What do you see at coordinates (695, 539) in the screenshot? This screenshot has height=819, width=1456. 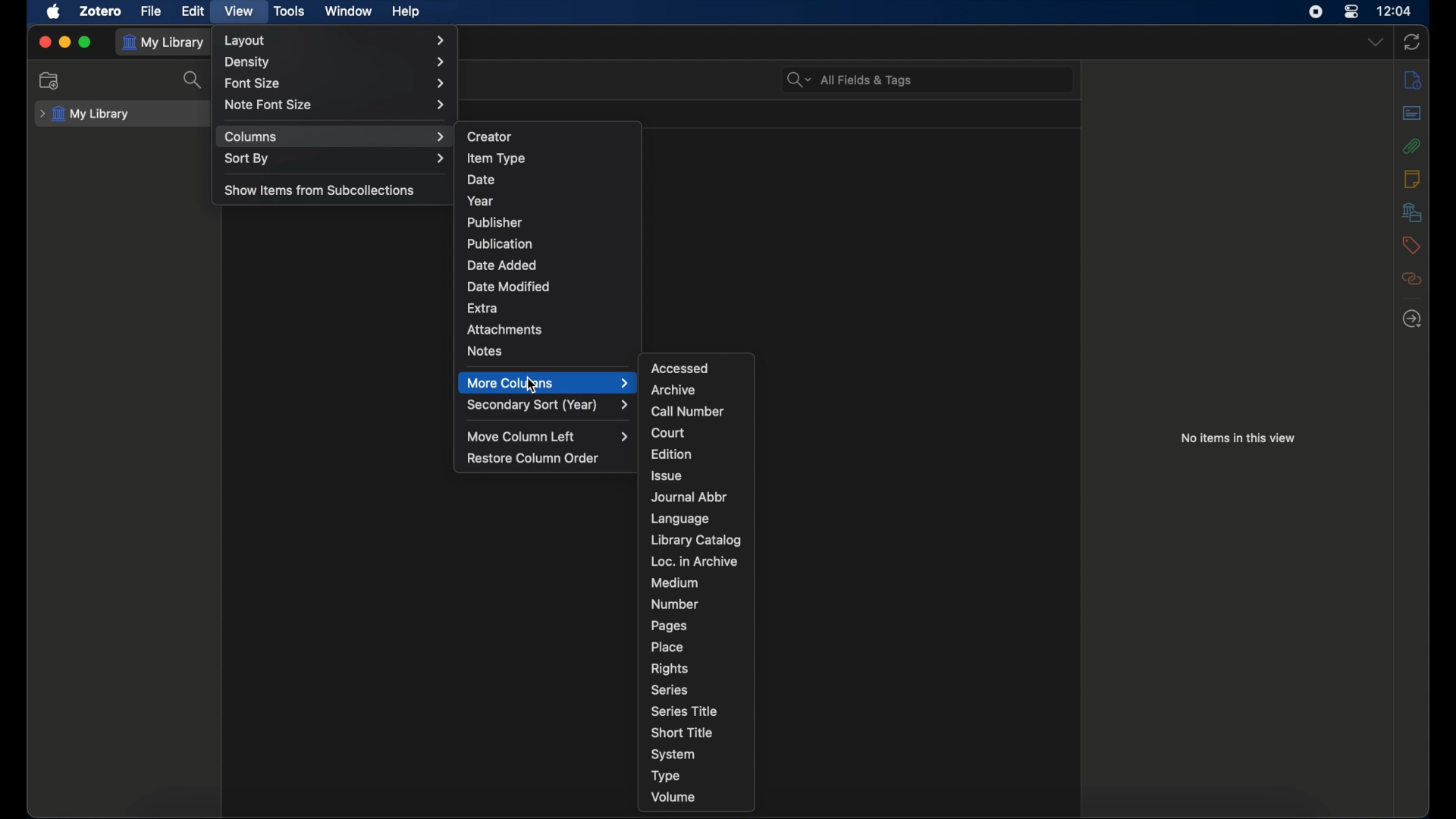 I see `library catalog` at bounding box center [695, 539].